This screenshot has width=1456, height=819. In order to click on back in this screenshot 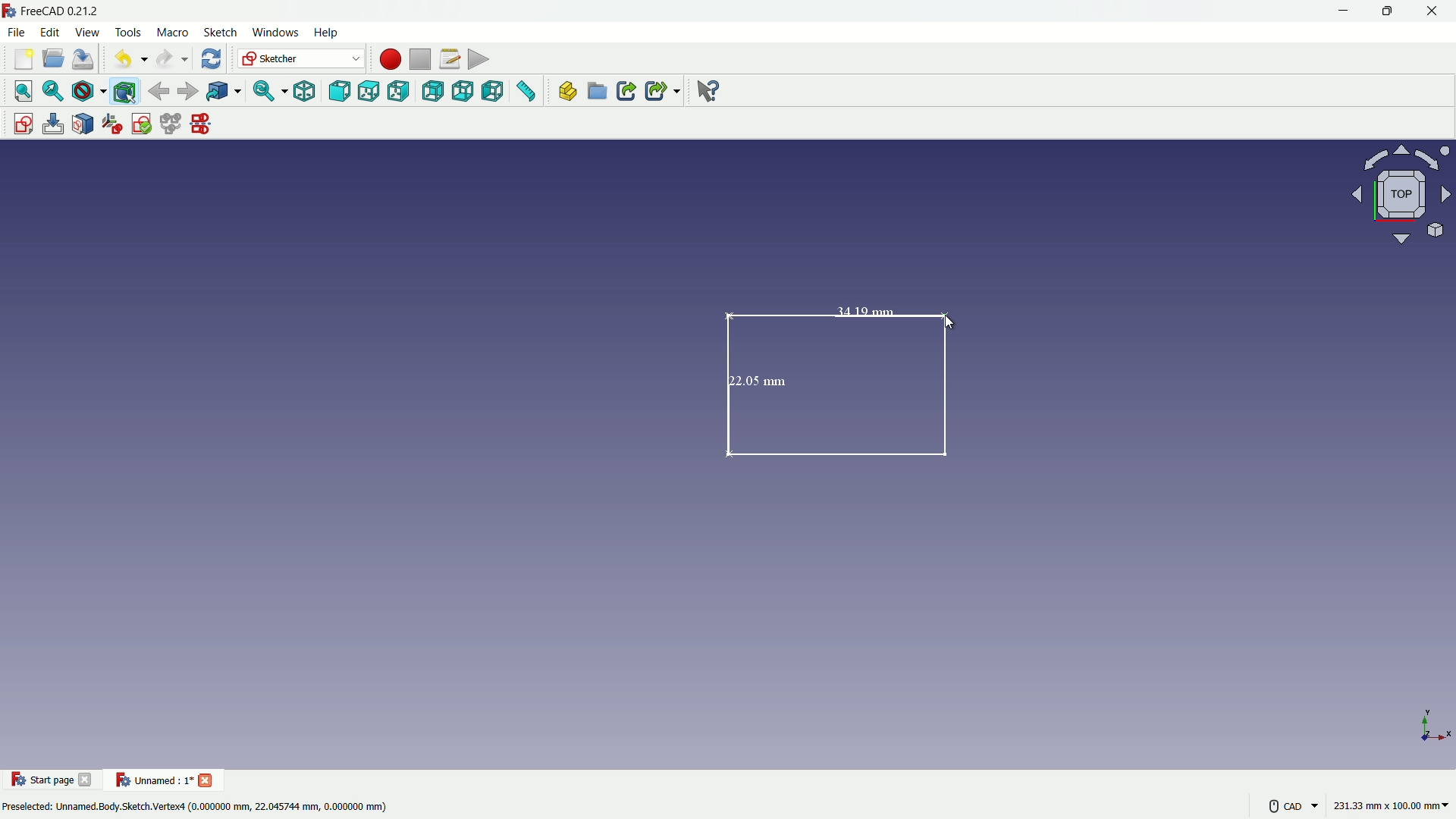, I will do `click(158, 90)`.